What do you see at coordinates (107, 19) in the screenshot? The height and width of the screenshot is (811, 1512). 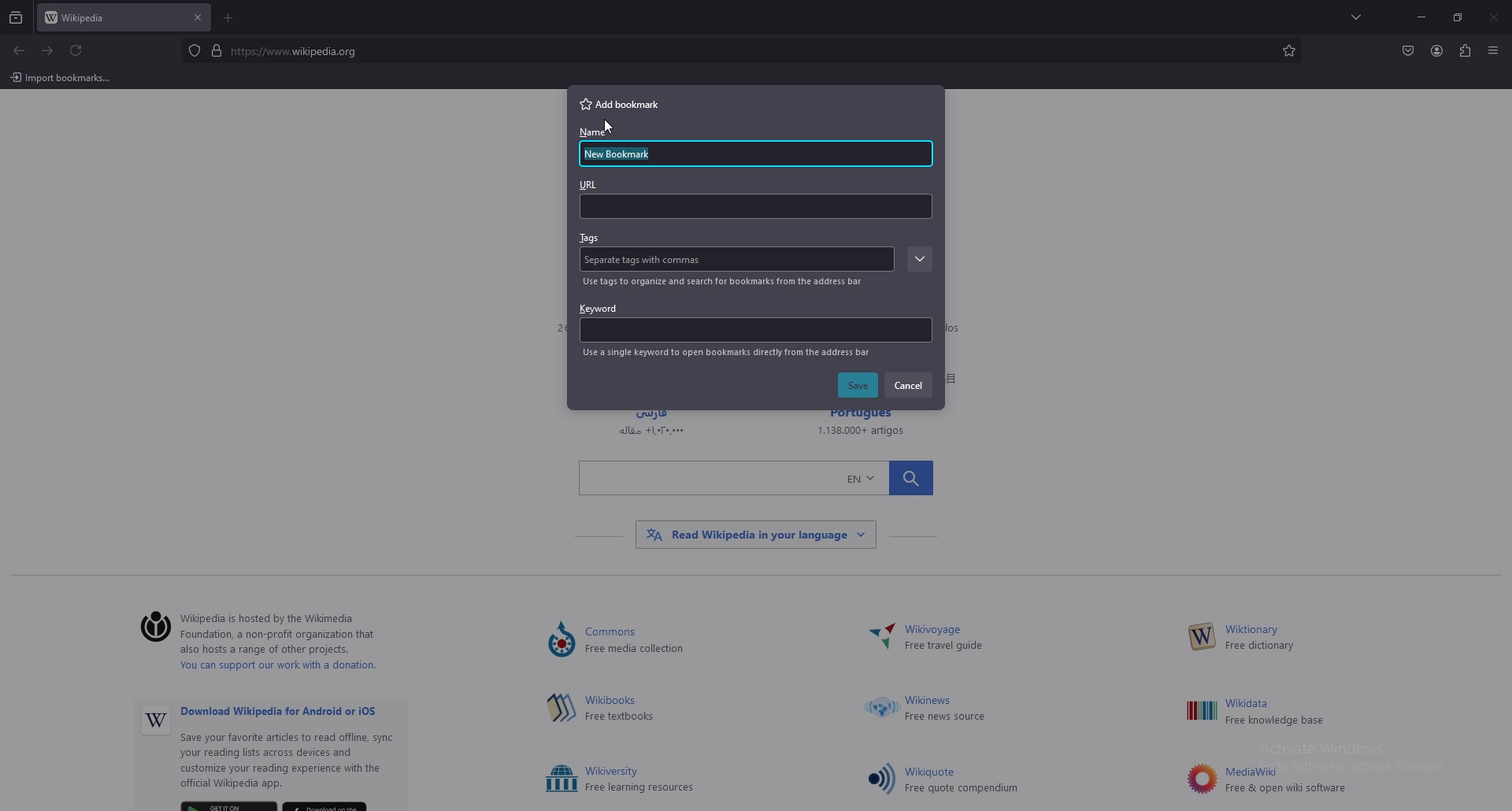 I see `tab` at bounding box center [107, 19].